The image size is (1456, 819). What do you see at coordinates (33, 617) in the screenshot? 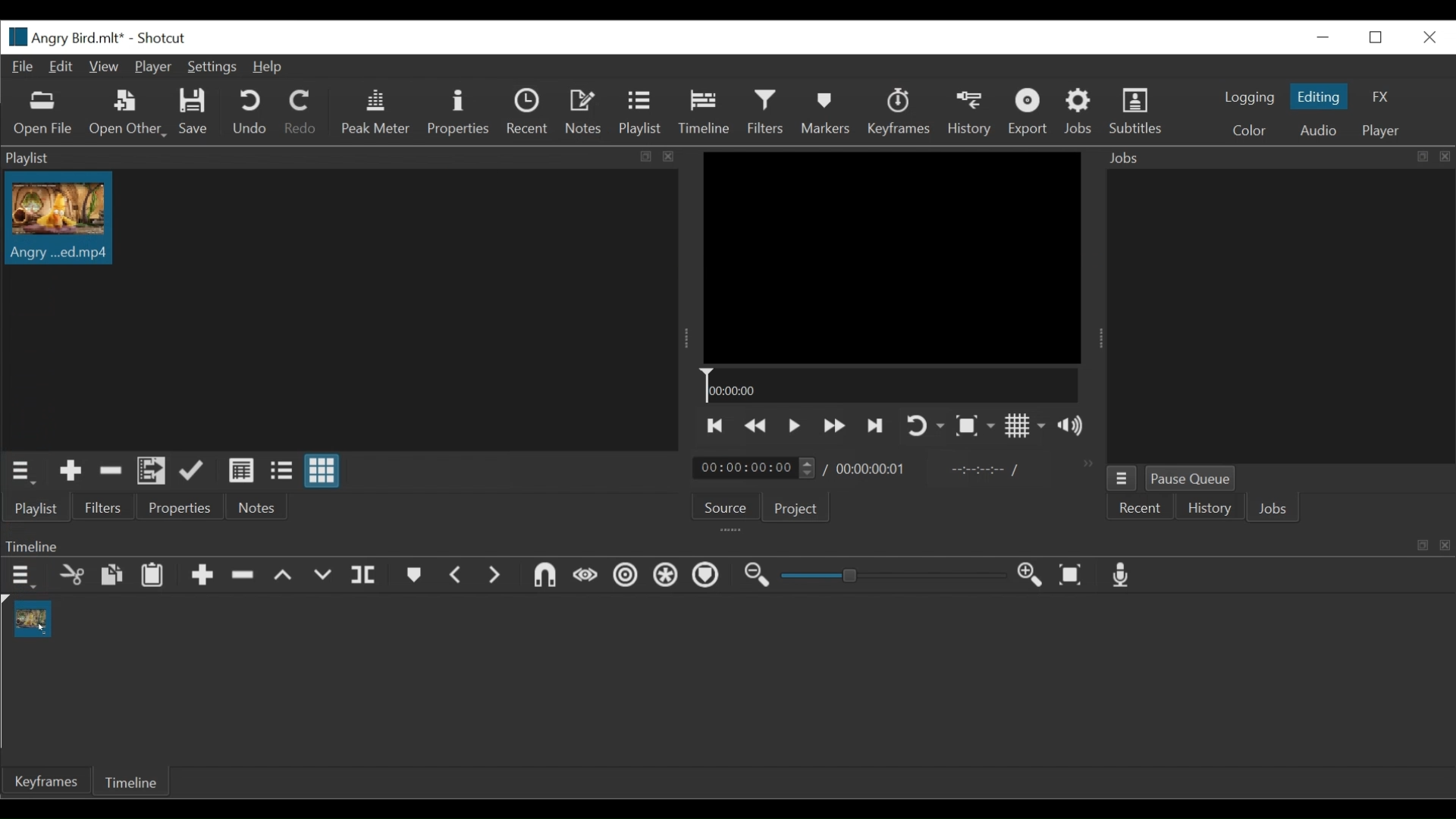
I see `Clip` at bounding box center [33, 617].